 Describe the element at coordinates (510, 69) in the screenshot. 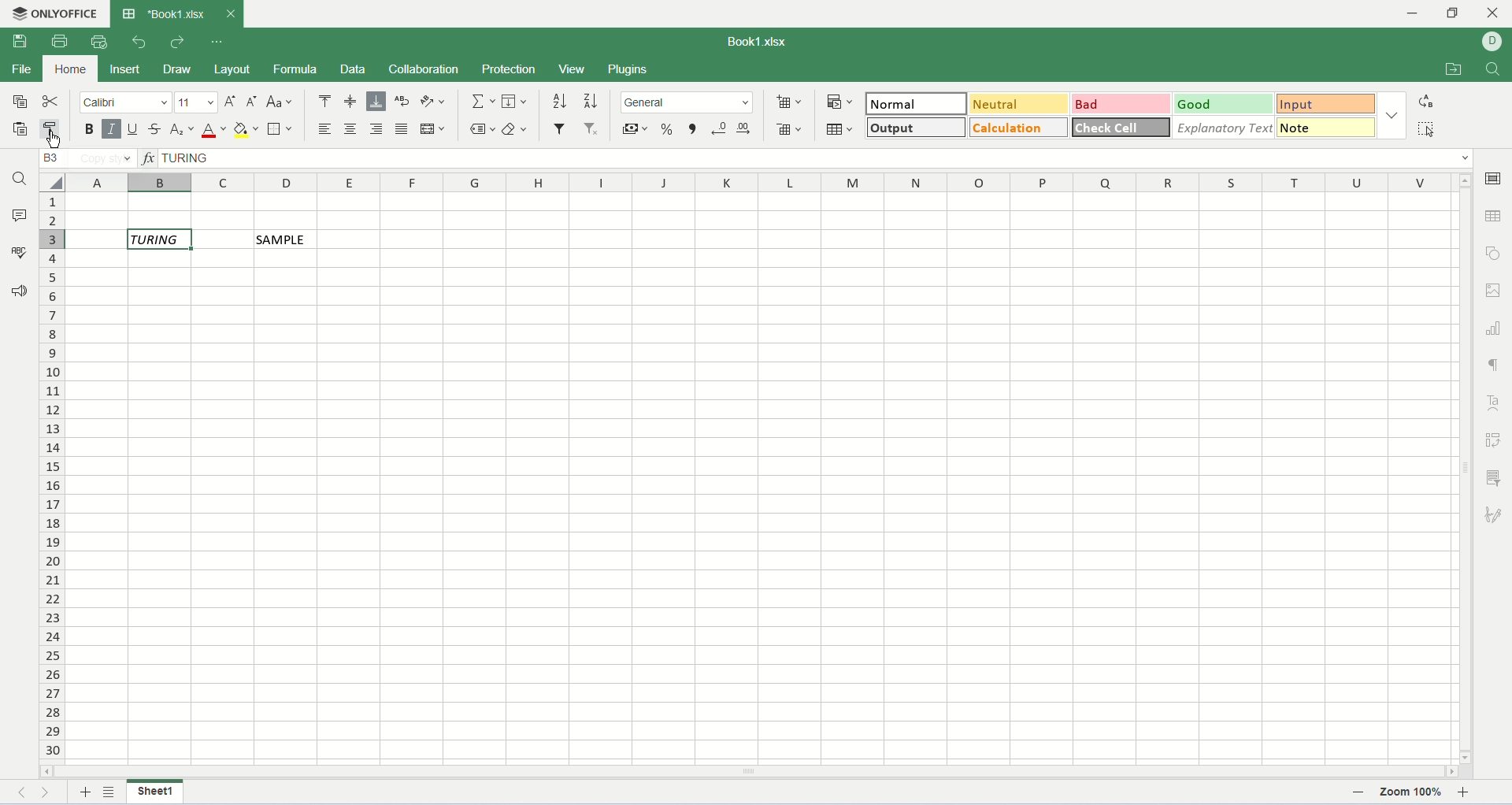

I see `protection` at that location.